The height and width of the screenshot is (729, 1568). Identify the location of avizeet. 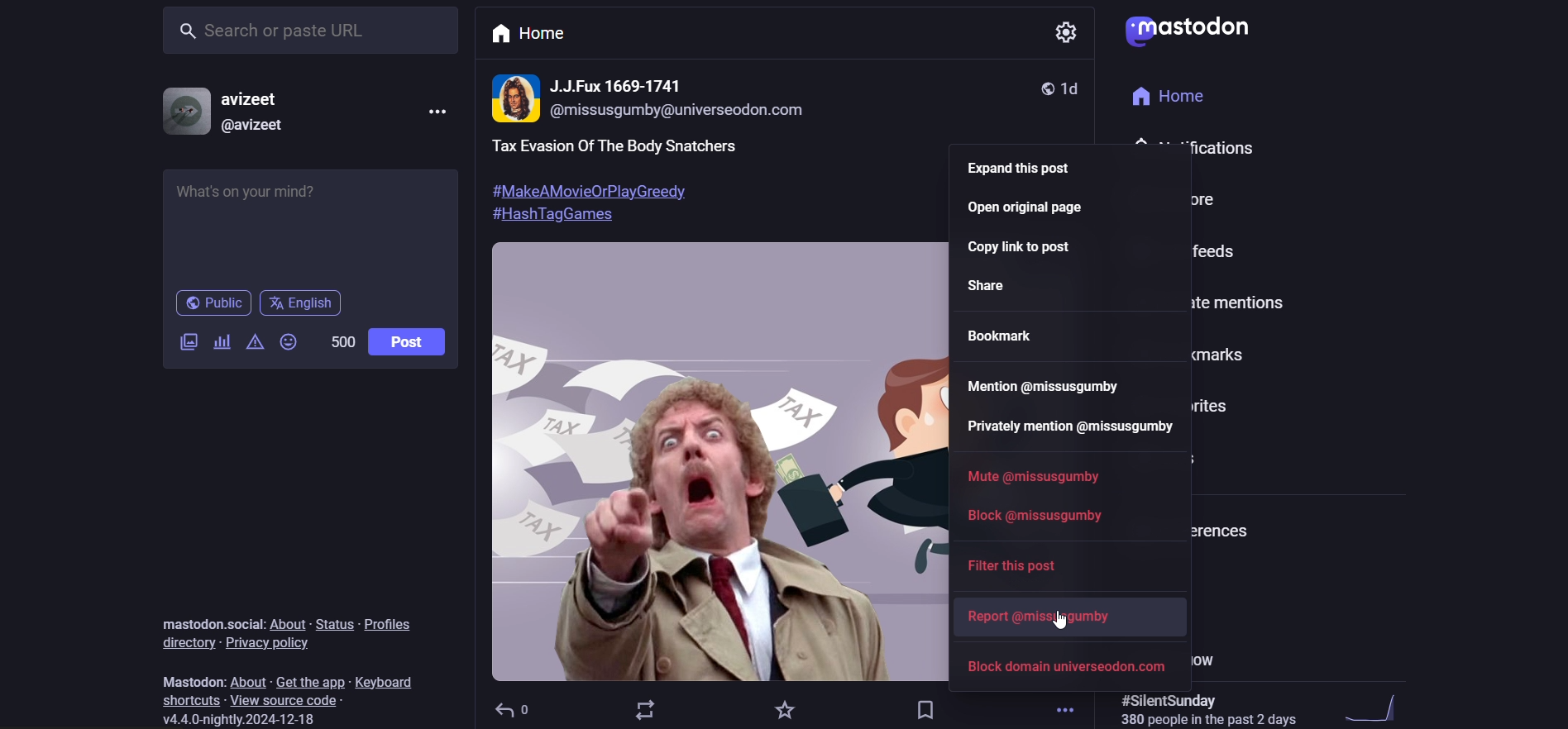
(253, 102).